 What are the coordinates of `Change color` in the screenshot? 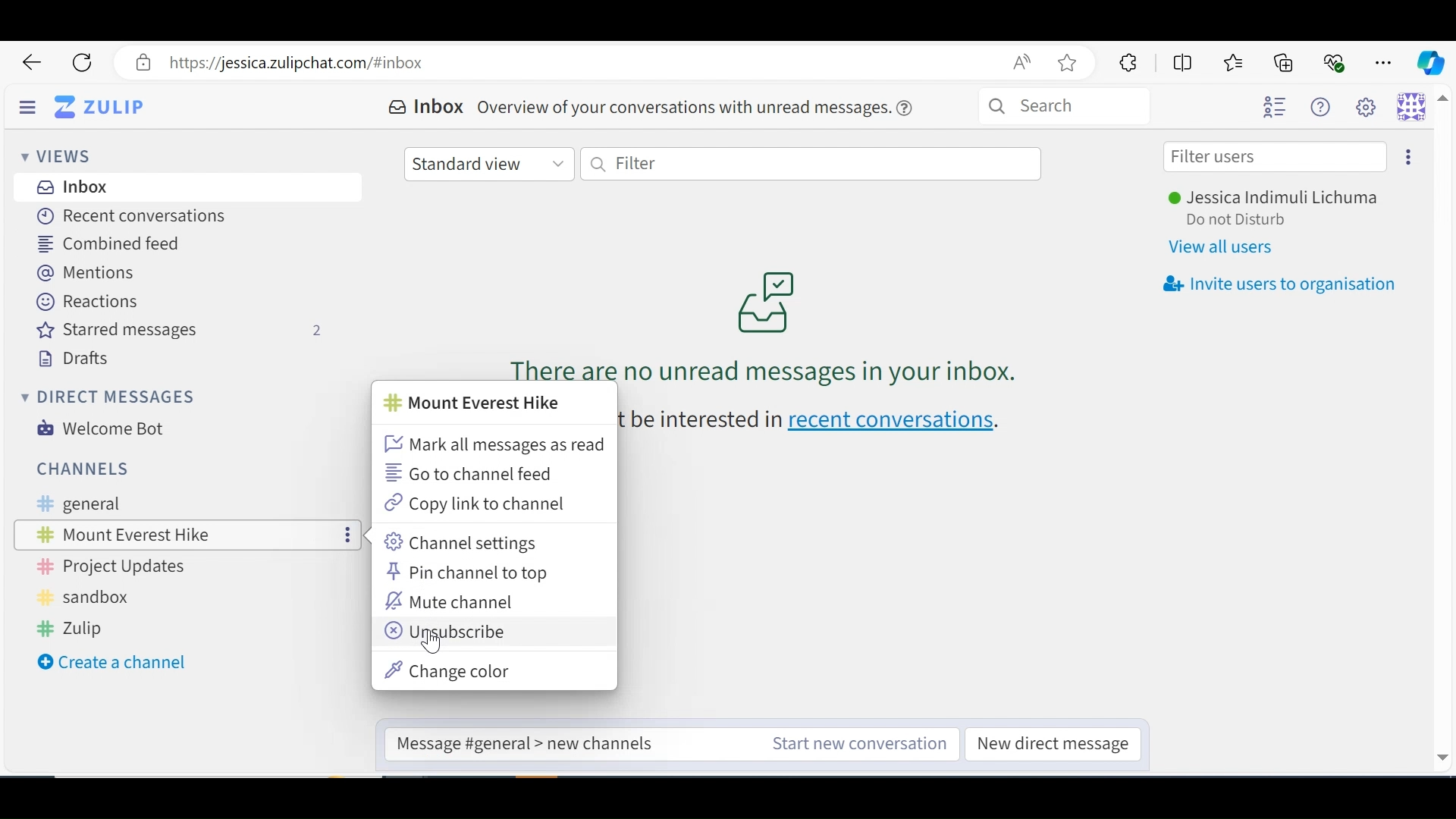 It's located at (465, 669).